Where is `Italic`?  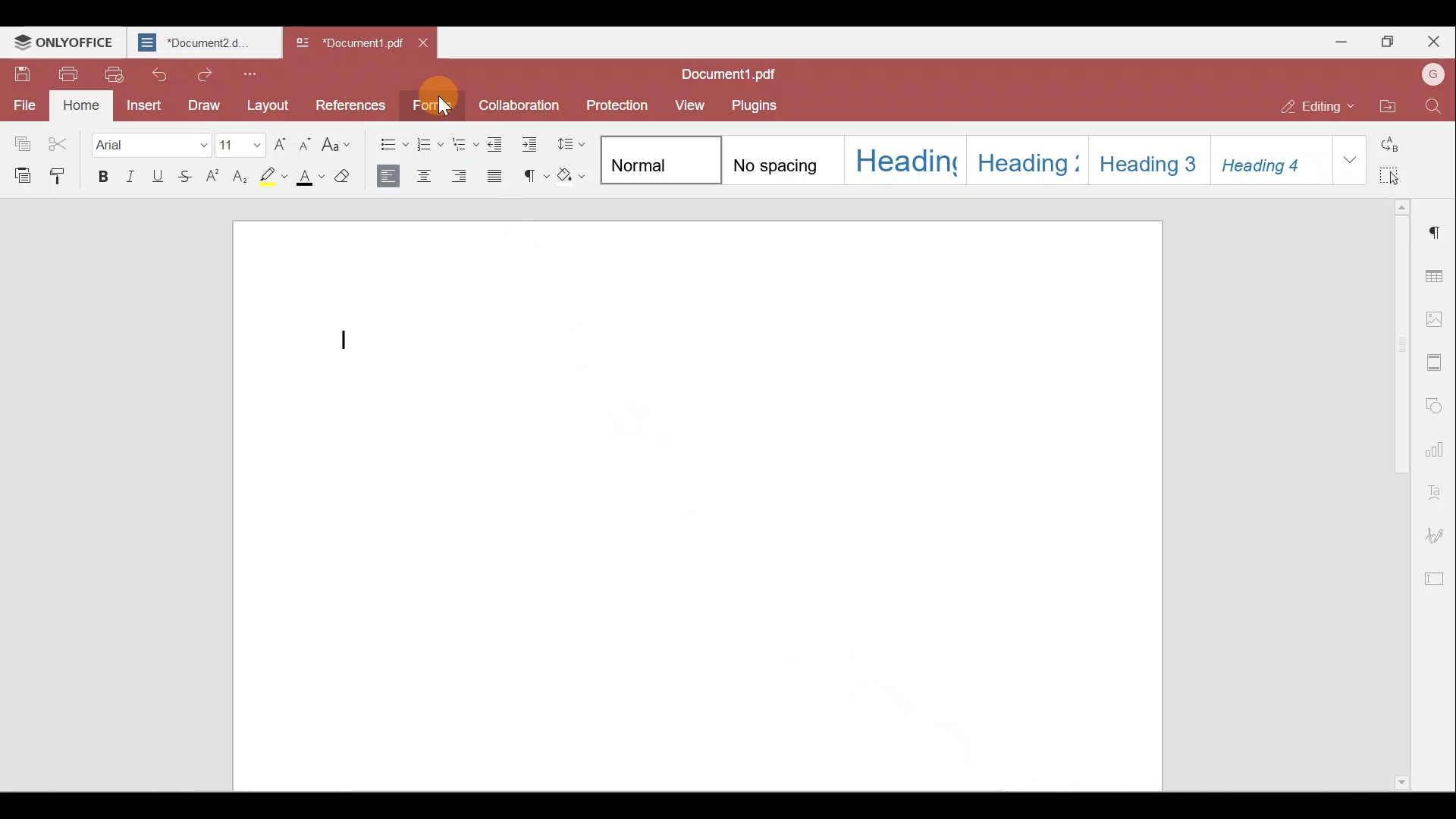
Italic is located at coordinates (132, 177).